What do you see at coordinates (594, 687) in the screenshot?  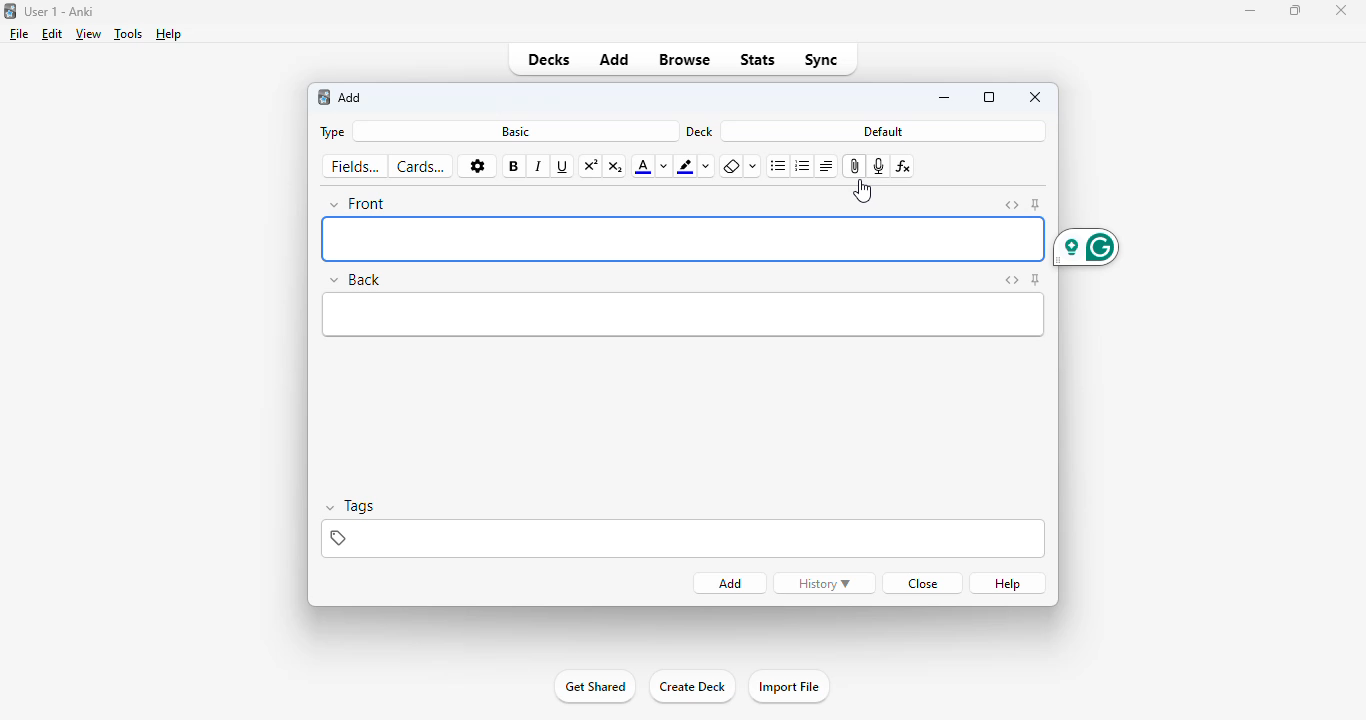 I see `get shared` at bounding box center [594, 687].